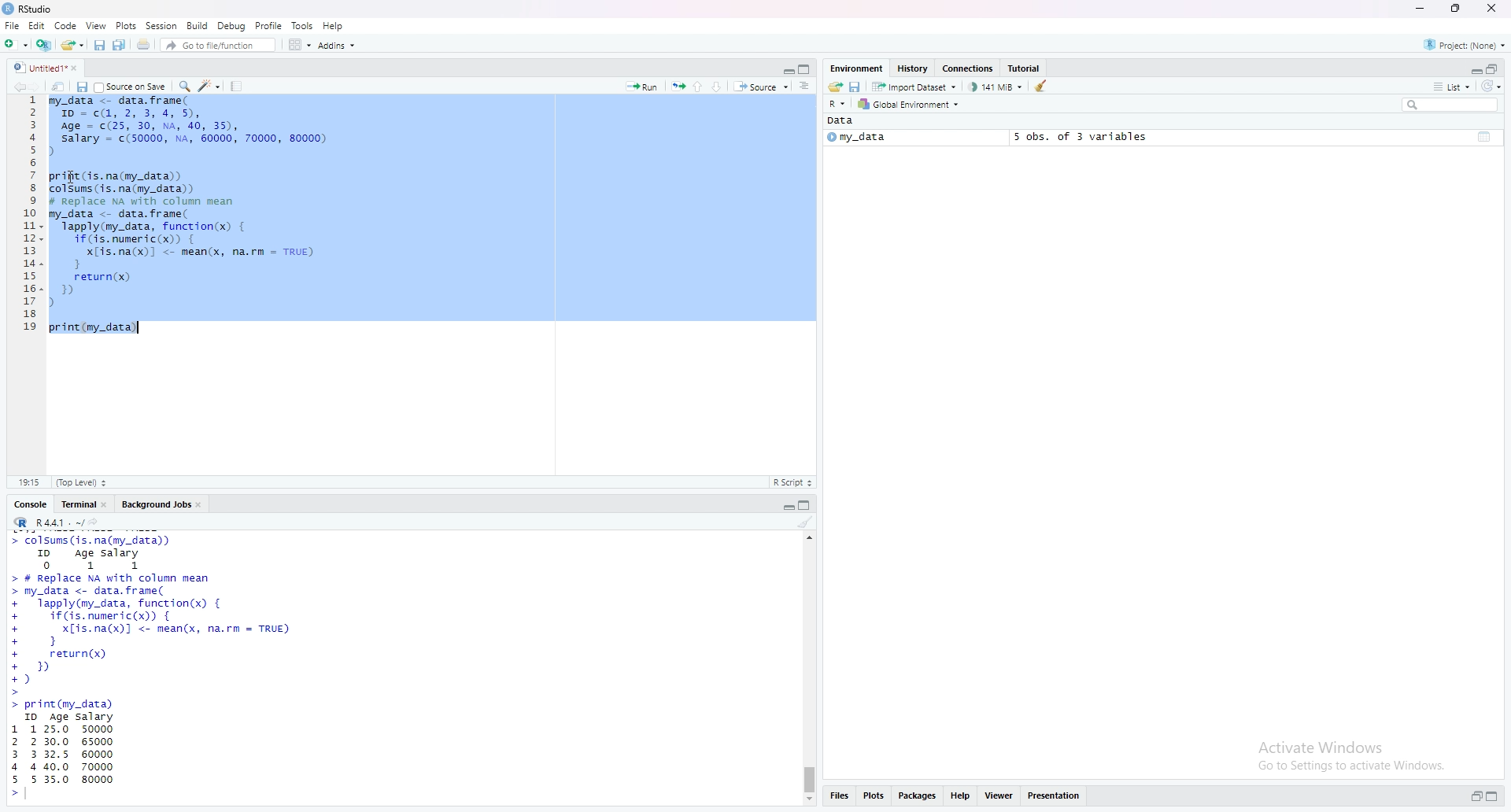 This screenshot has height=812, width=1511. What do you see at coordinates (86, 481) in the screenshot?
I see `top level` at bounding box center [86, 481].